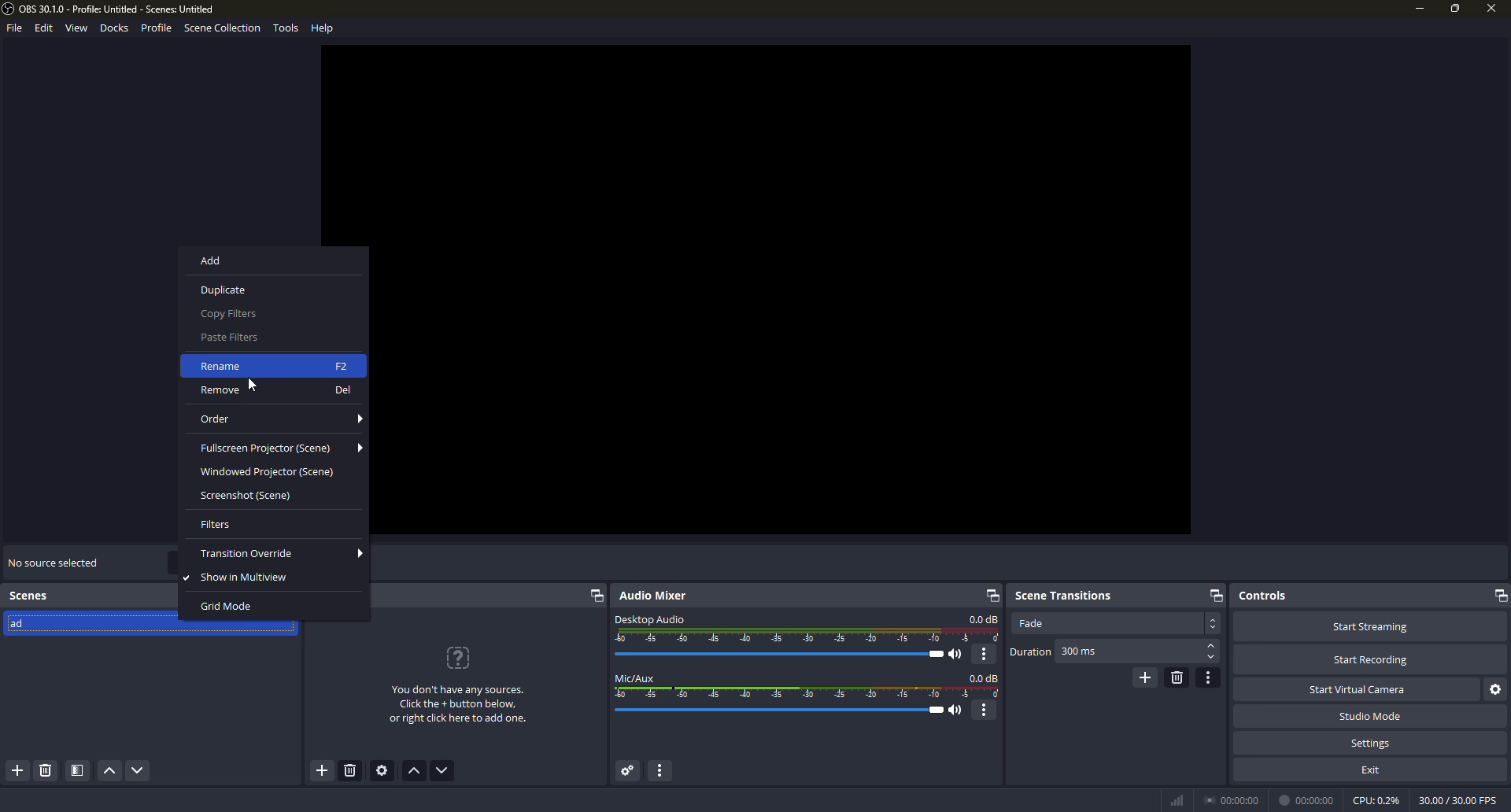 This screenshot has height=812, width=1511. I want to click on time, so click(1234, 799).